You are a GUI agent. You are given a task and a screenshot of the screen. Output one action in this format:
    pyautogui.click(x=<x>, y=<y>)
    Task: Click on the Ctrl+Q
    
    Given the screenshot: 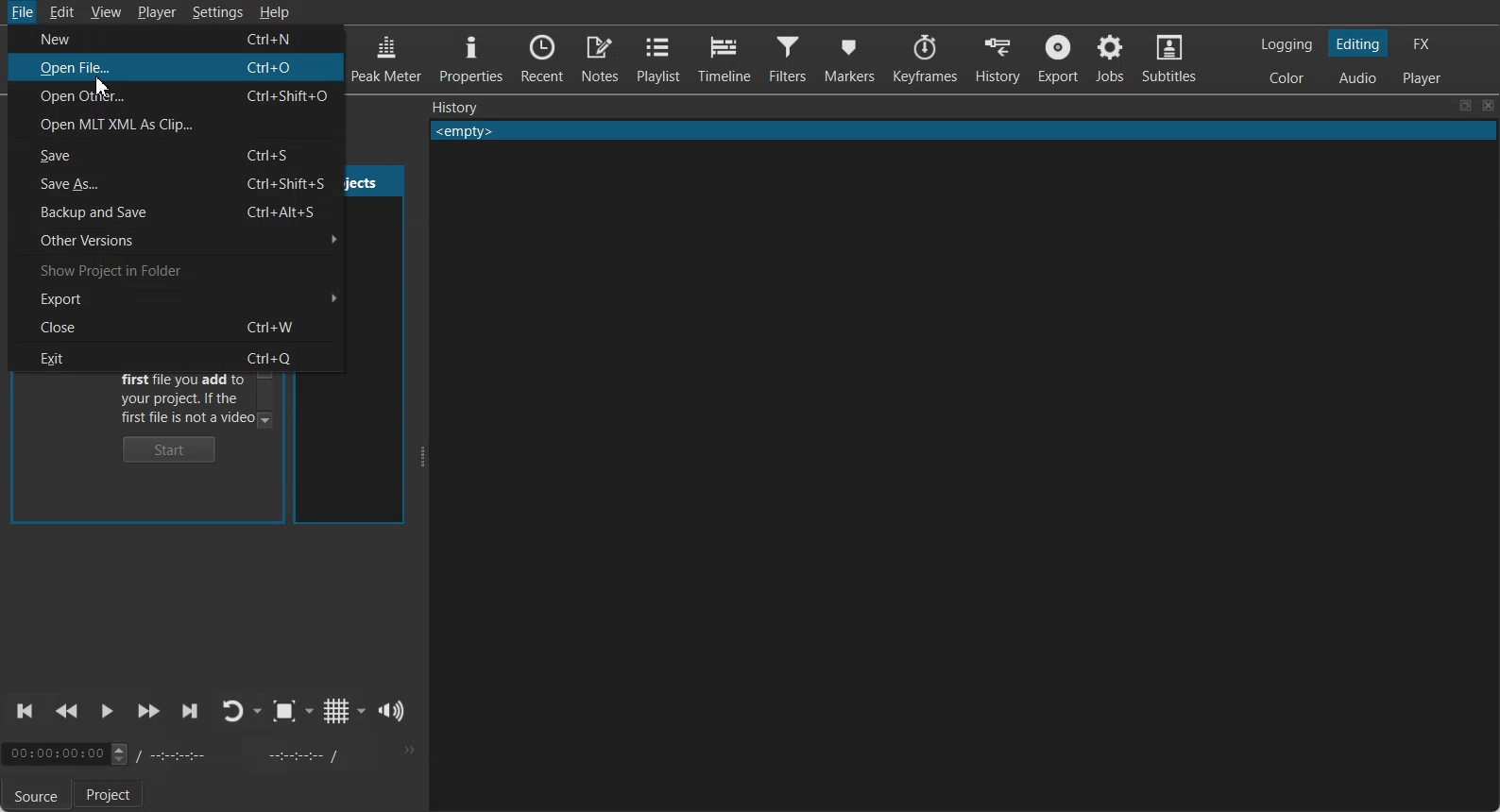 What is the action you would take?
    pyautogui.click(x=278, y=356)
    